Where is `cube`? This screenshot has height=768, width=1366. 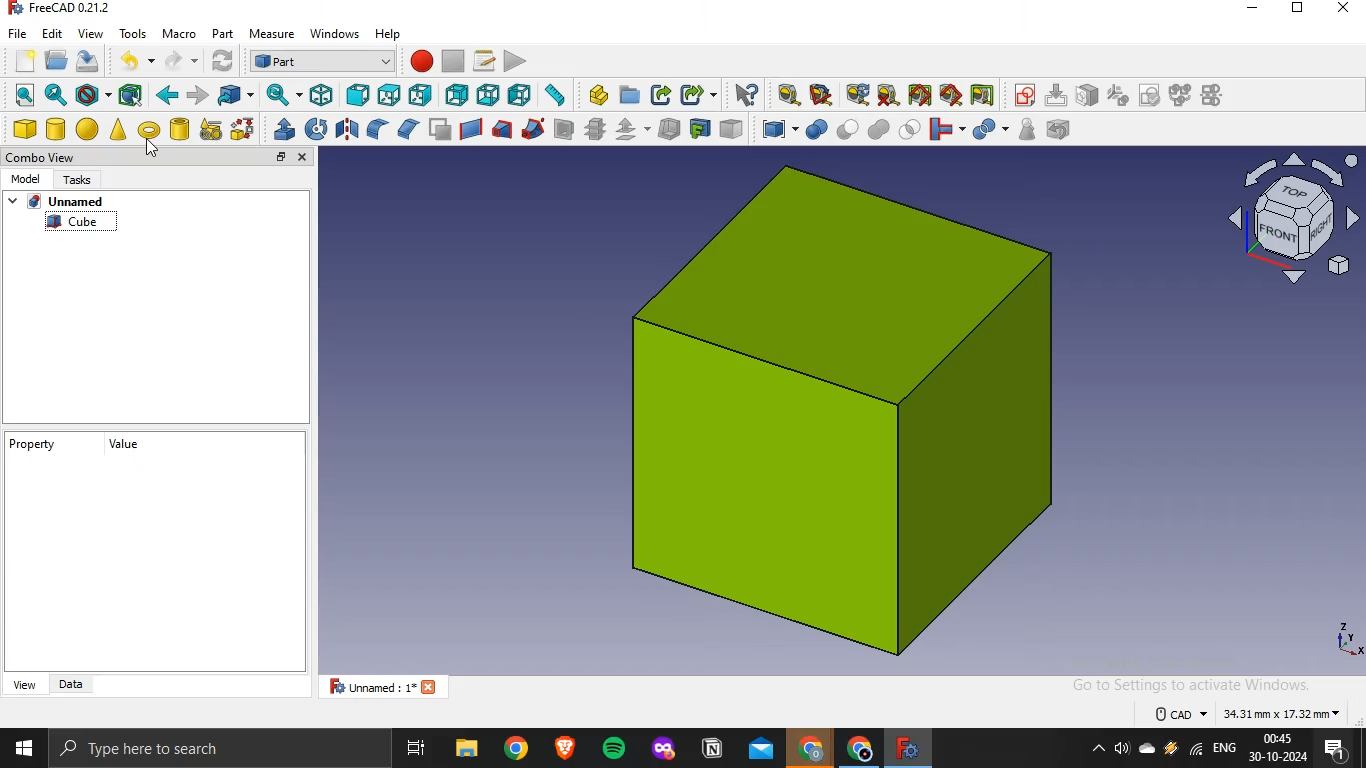 cube is located at coordinates (22, 127).